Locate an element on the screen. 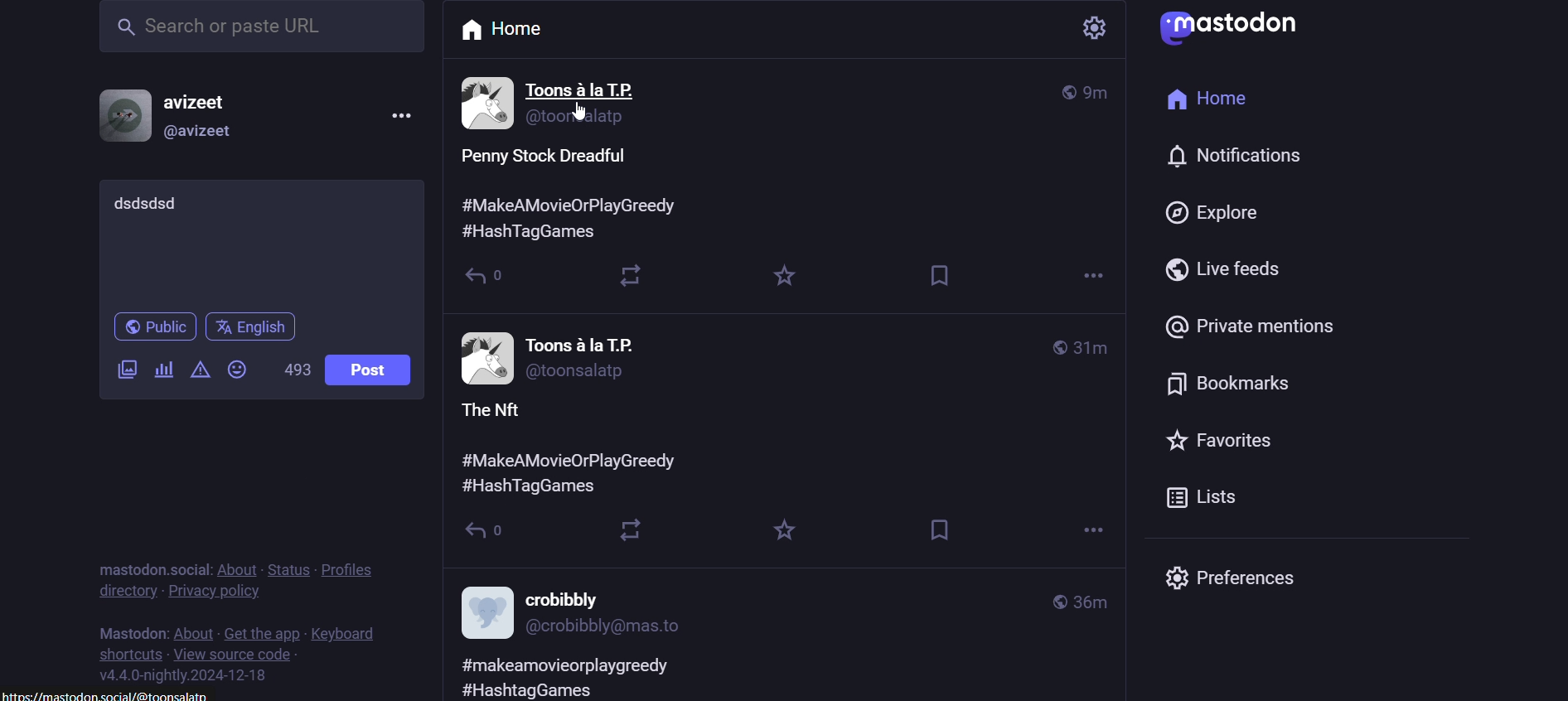 Image resolution: width=1568 pixels, height=701 pixels.  is located at coordinates (576, 205).